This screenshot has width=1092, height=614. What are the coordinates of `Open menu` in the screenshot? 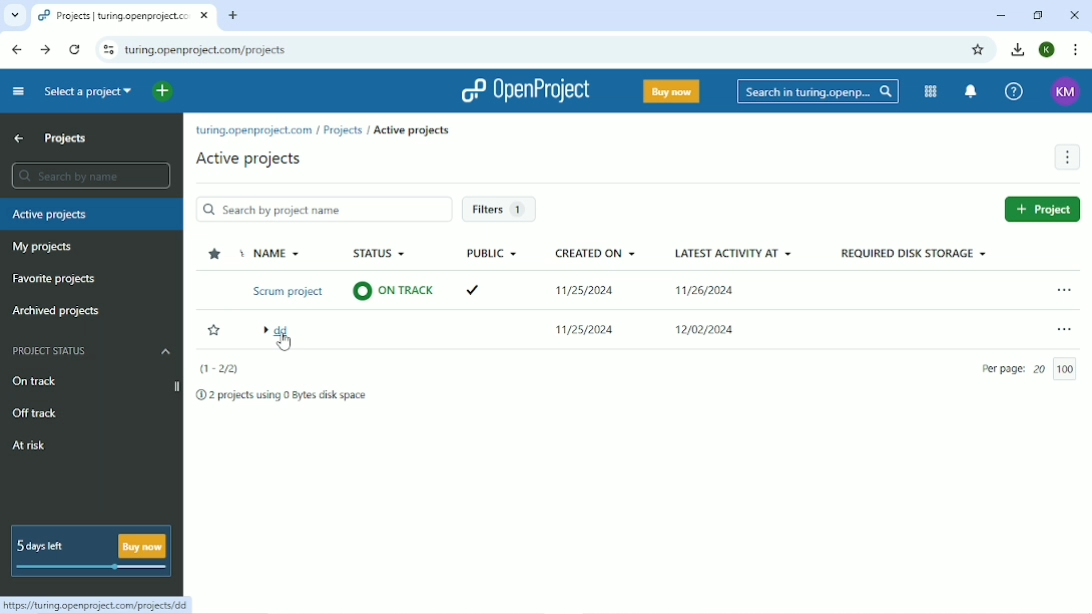 It's located at (1064, 290).